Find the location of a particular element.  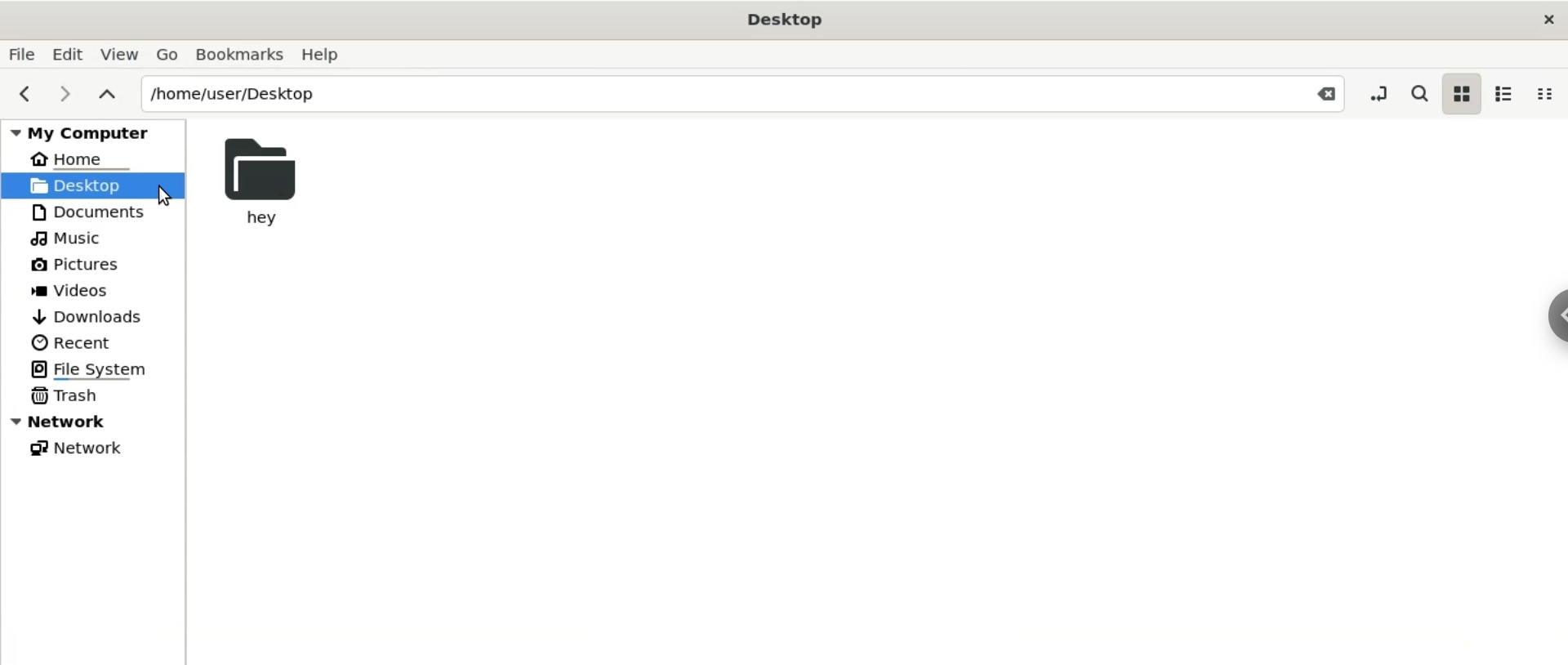

cursor is located at coordinates (164, 196).